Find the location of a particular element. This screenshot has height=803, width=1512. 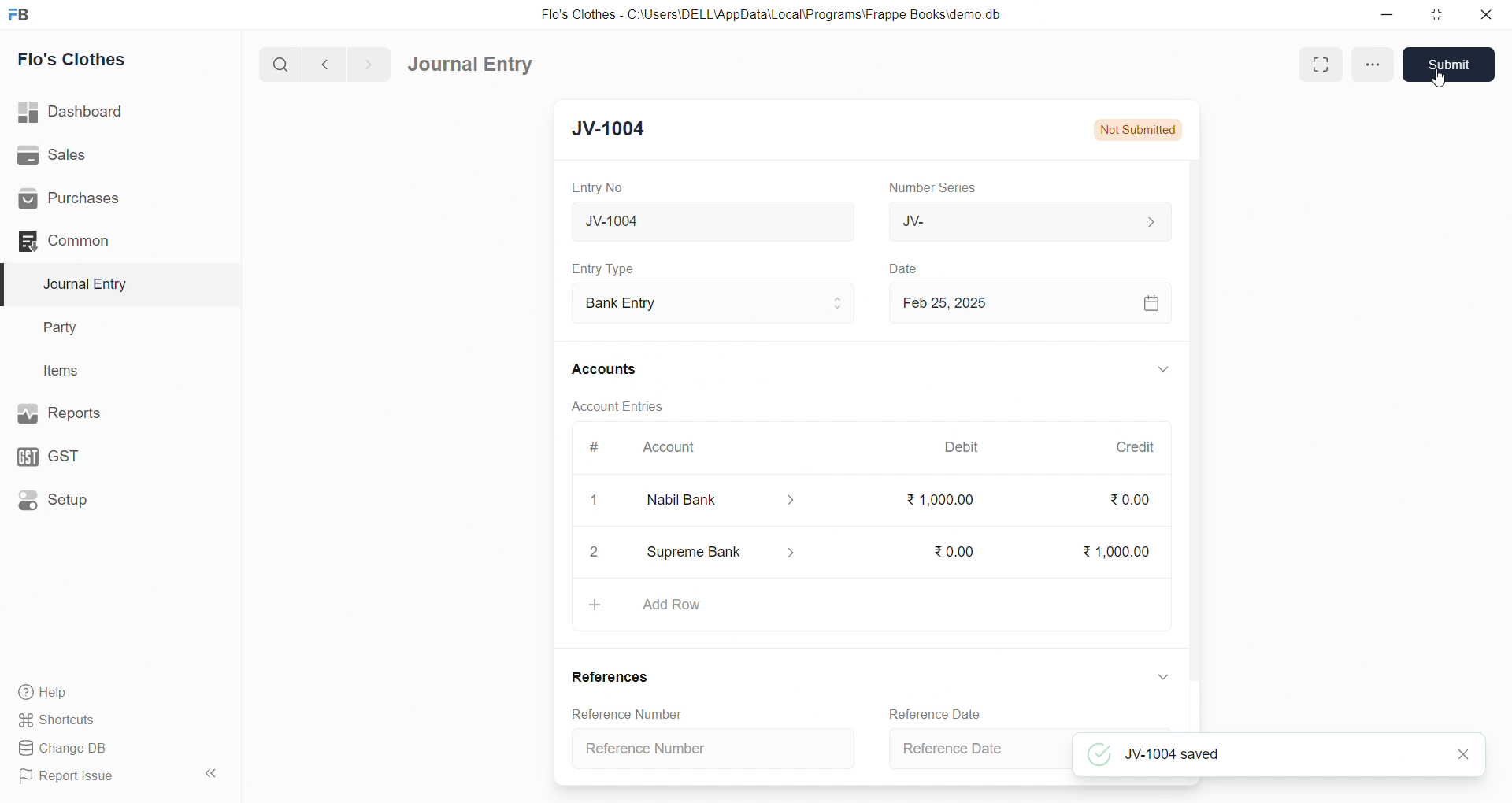

Debit is located at coordinates (962, 449).